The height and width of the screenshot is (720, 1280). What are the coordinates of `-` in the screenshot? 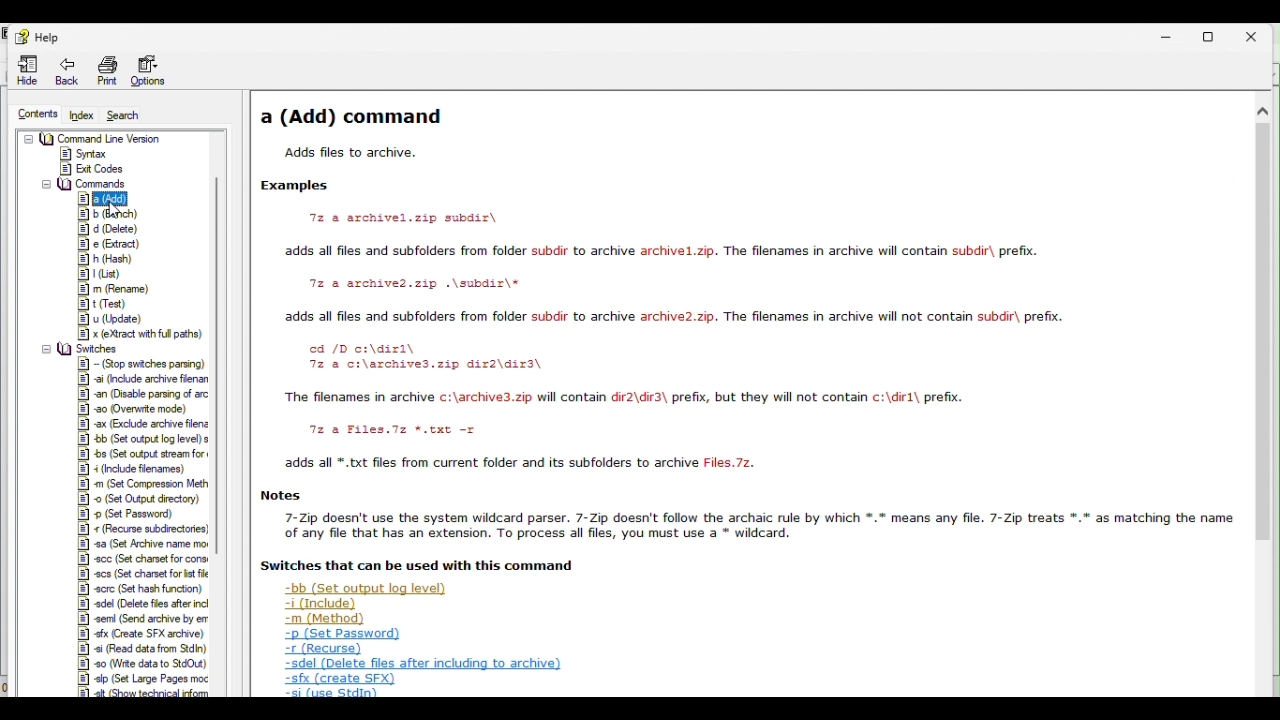 It's located at (143, 364).